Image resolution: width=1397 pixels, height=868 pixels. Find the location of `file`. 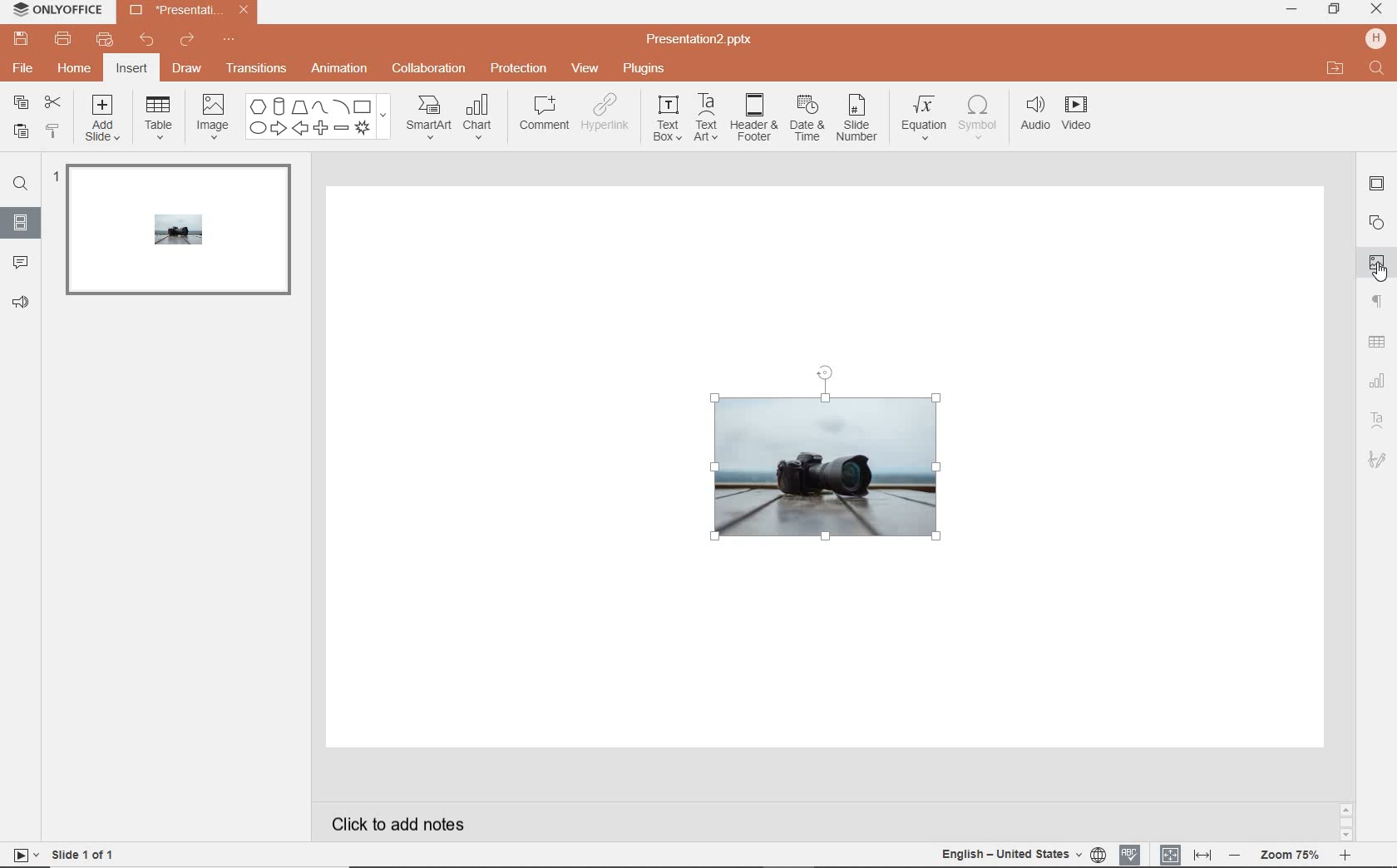

file is located at coordinates (24, 70).